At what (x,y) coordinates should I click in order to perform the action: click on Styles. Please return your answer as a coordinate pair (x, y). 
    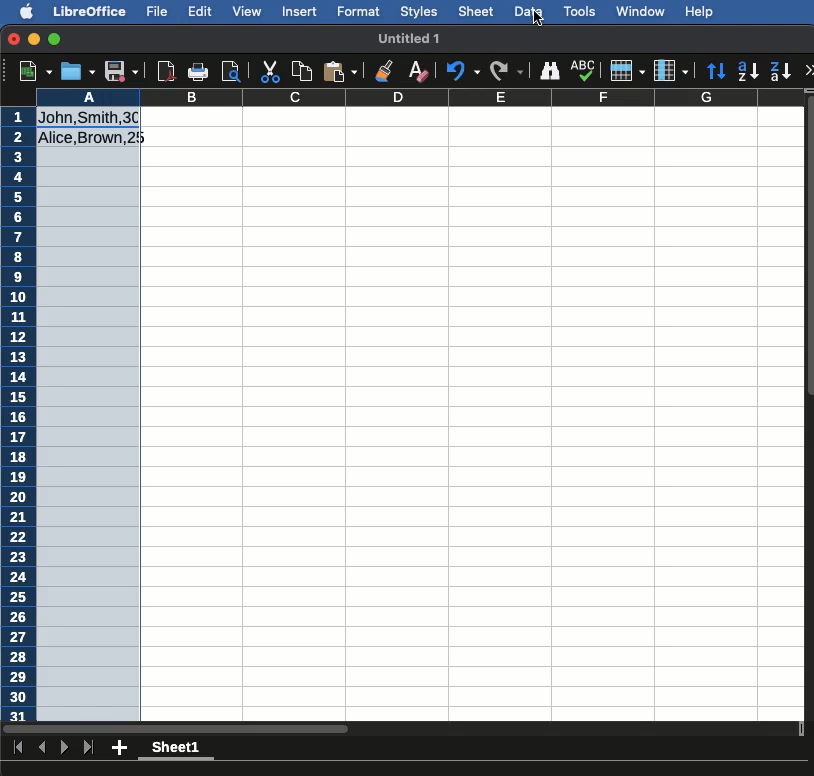
    Looking at the image, I should click on (420, 13).